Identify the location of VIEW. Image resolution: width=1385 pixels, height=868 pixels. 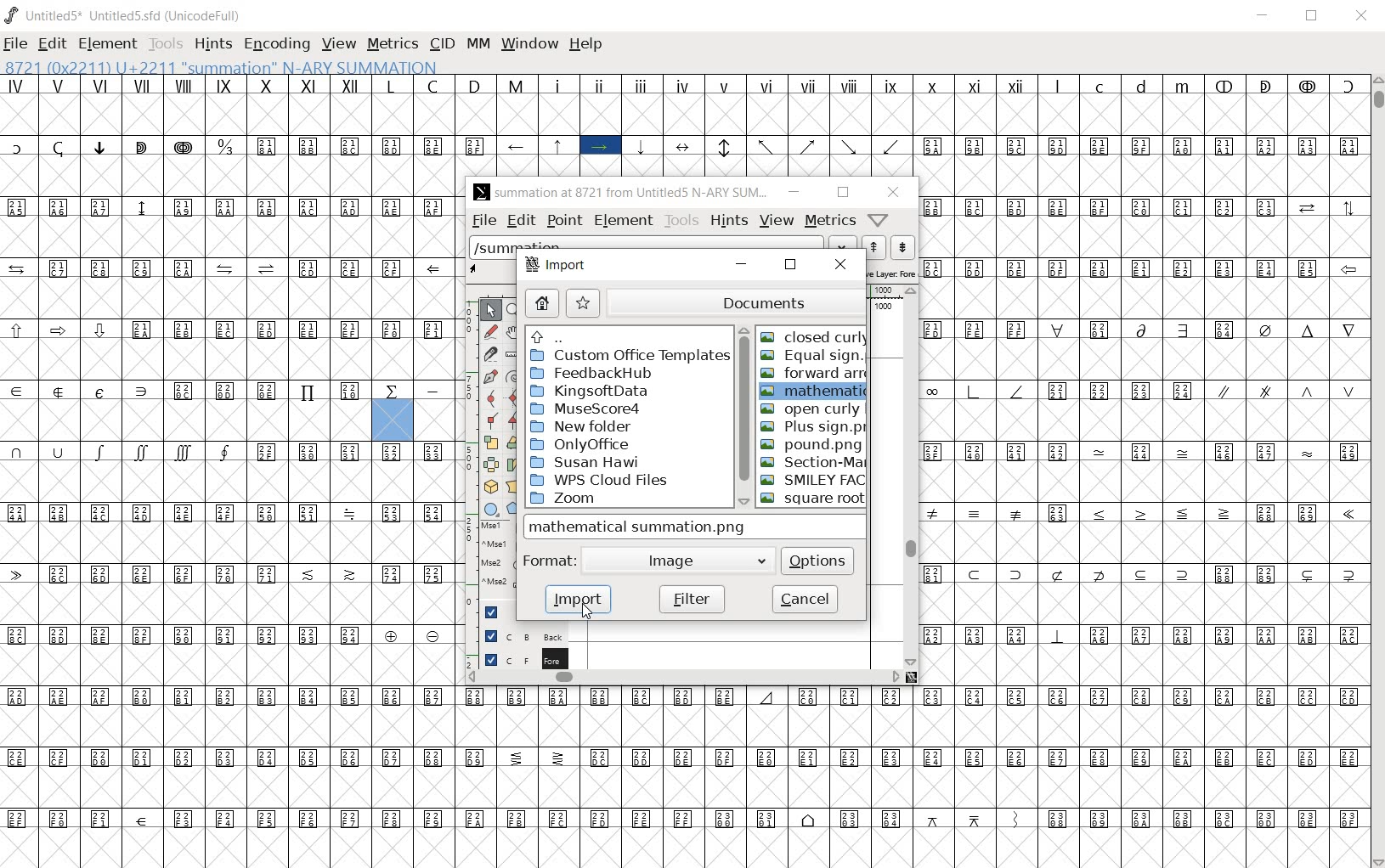
(339, 43).